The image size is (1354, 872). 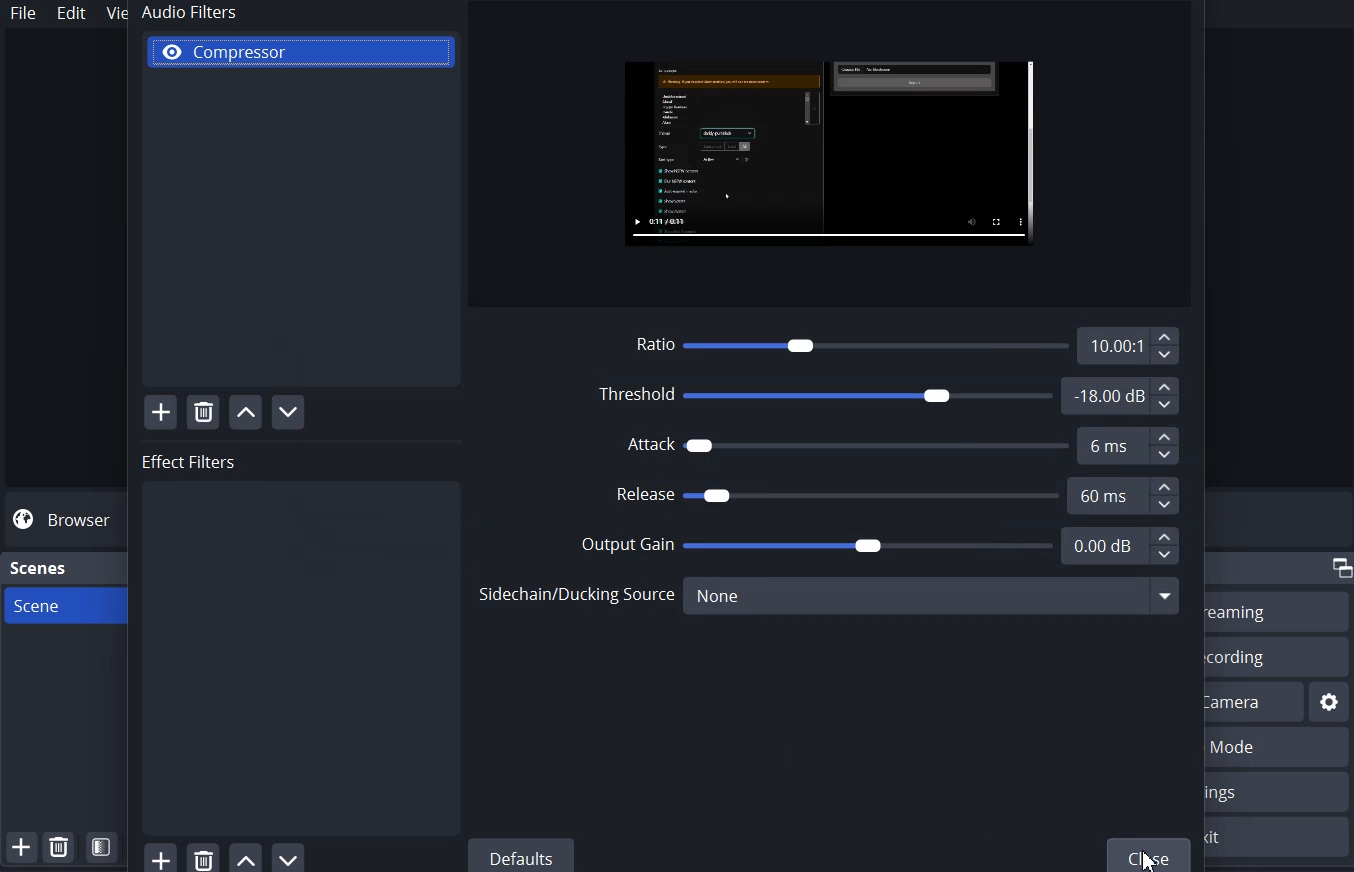 What do you see at coordinates (884, 546) in the screenshot?
I see `Output Gain 0.00 dB` at bounding box center [884, 546].